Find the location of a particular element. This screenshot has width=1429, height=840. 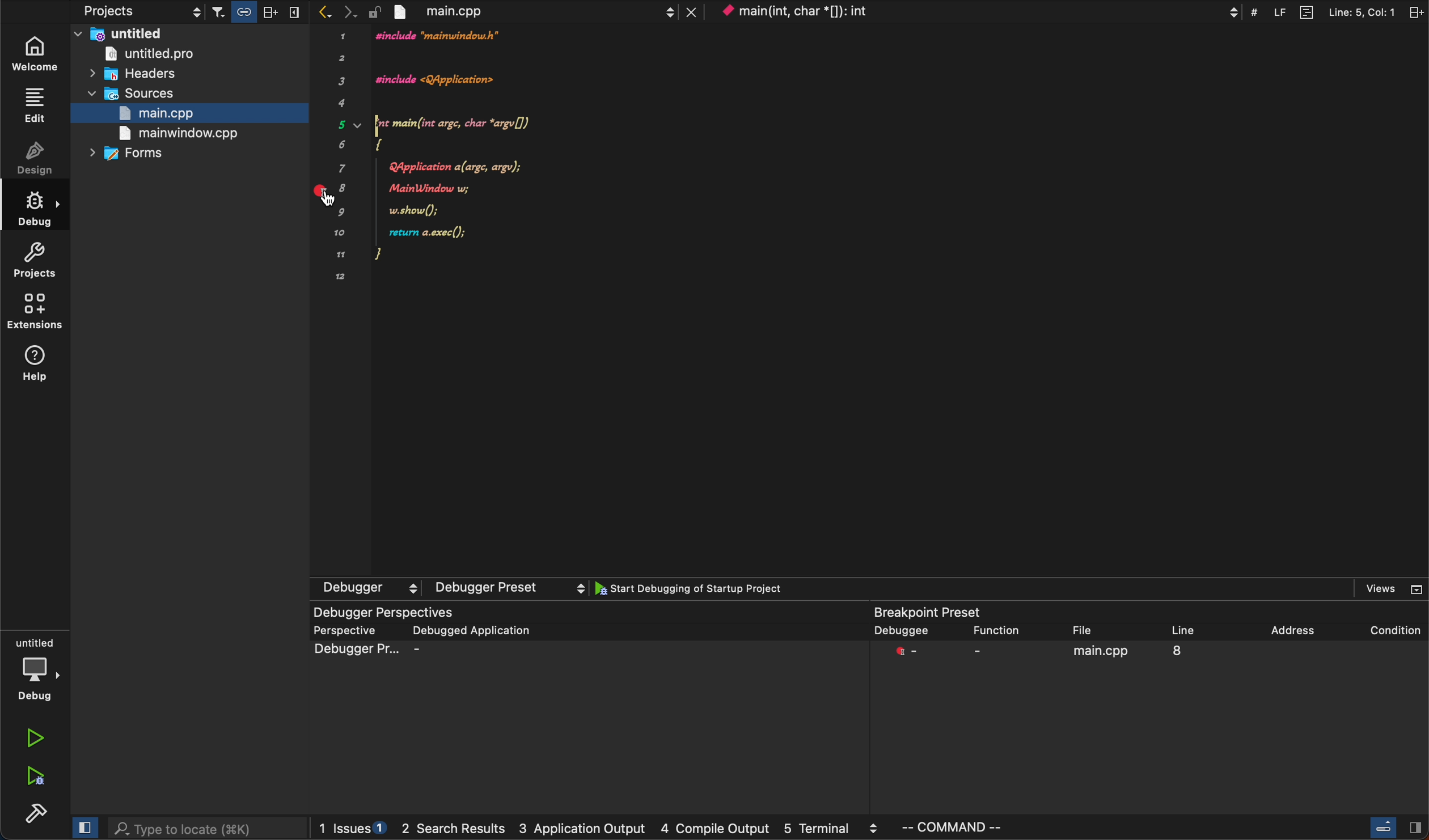

debugger is located at coordinates (450, 588).